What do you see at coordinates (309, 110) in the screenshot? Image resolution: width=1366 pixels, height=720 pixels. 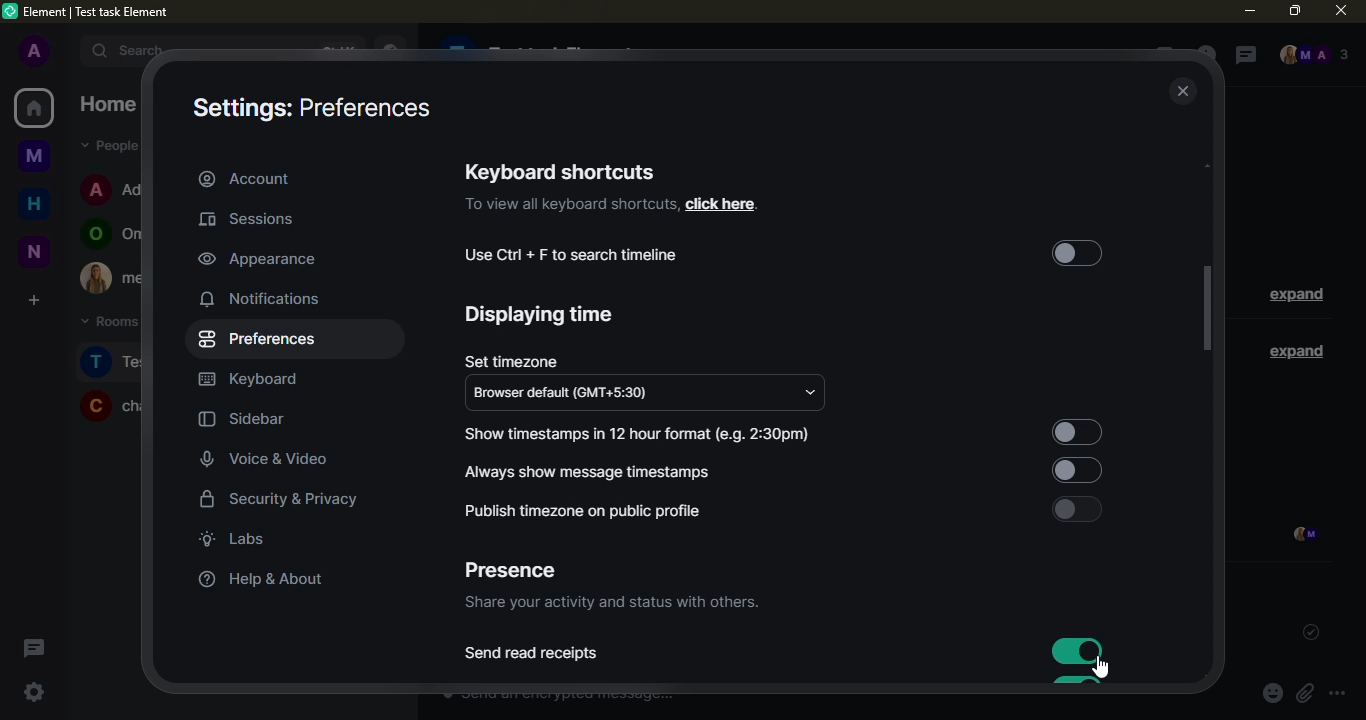 I see `settings: preferences` at bounding box center [309, 110].